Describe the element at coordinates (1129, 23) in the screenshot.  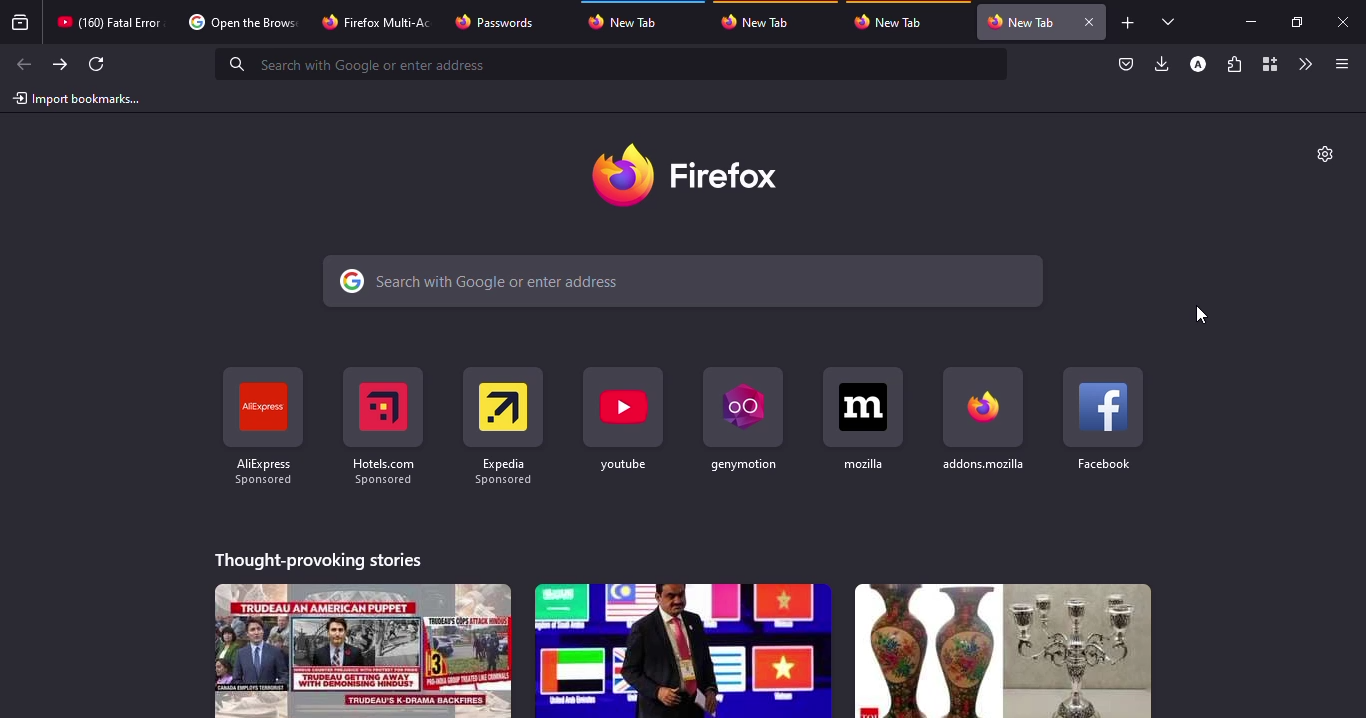
I see `add new tab` at that location.